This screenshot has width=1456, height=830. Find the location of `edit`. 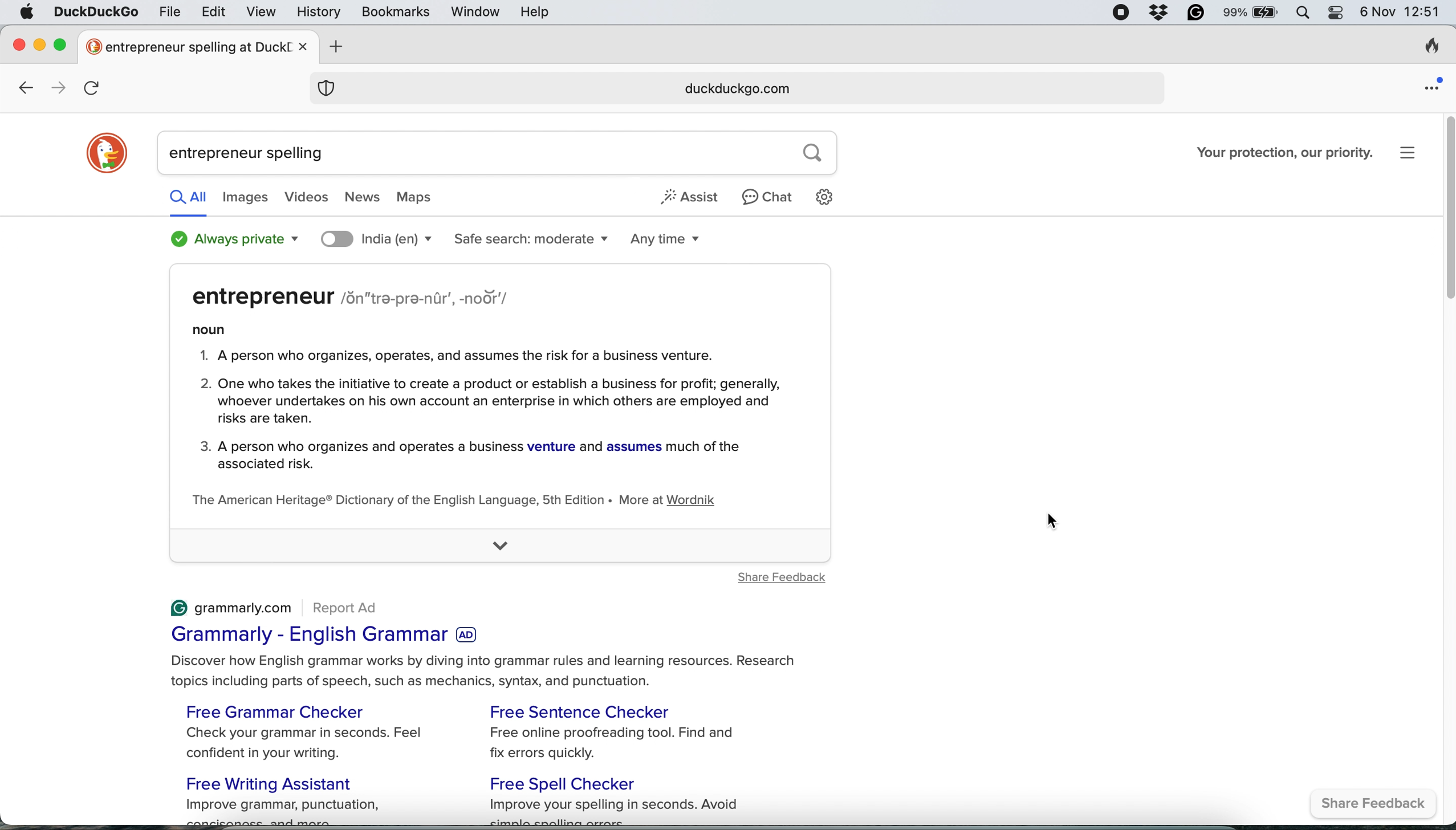

edit is located at coordinates (212, 15).